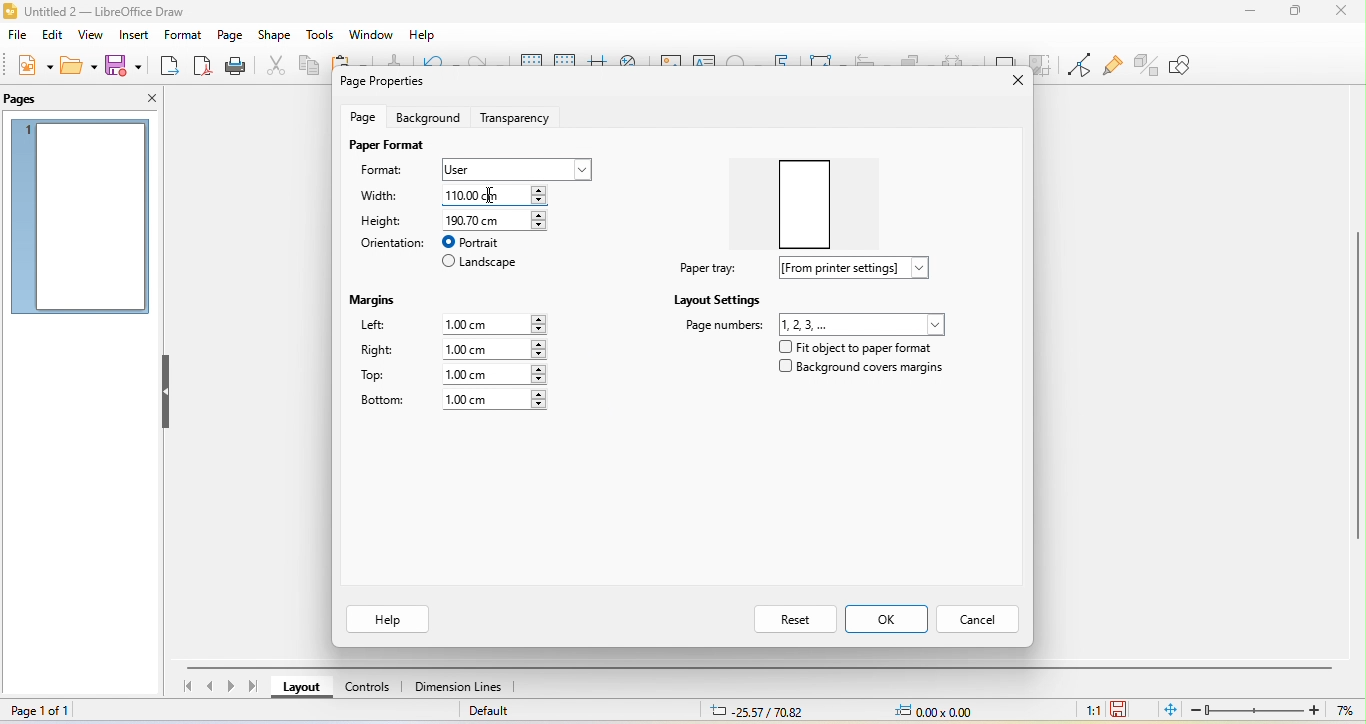  What do you see at coordinates (757, 711) in the screenshot?
I see `25.57/70.82` at bounding box center [757, 711].